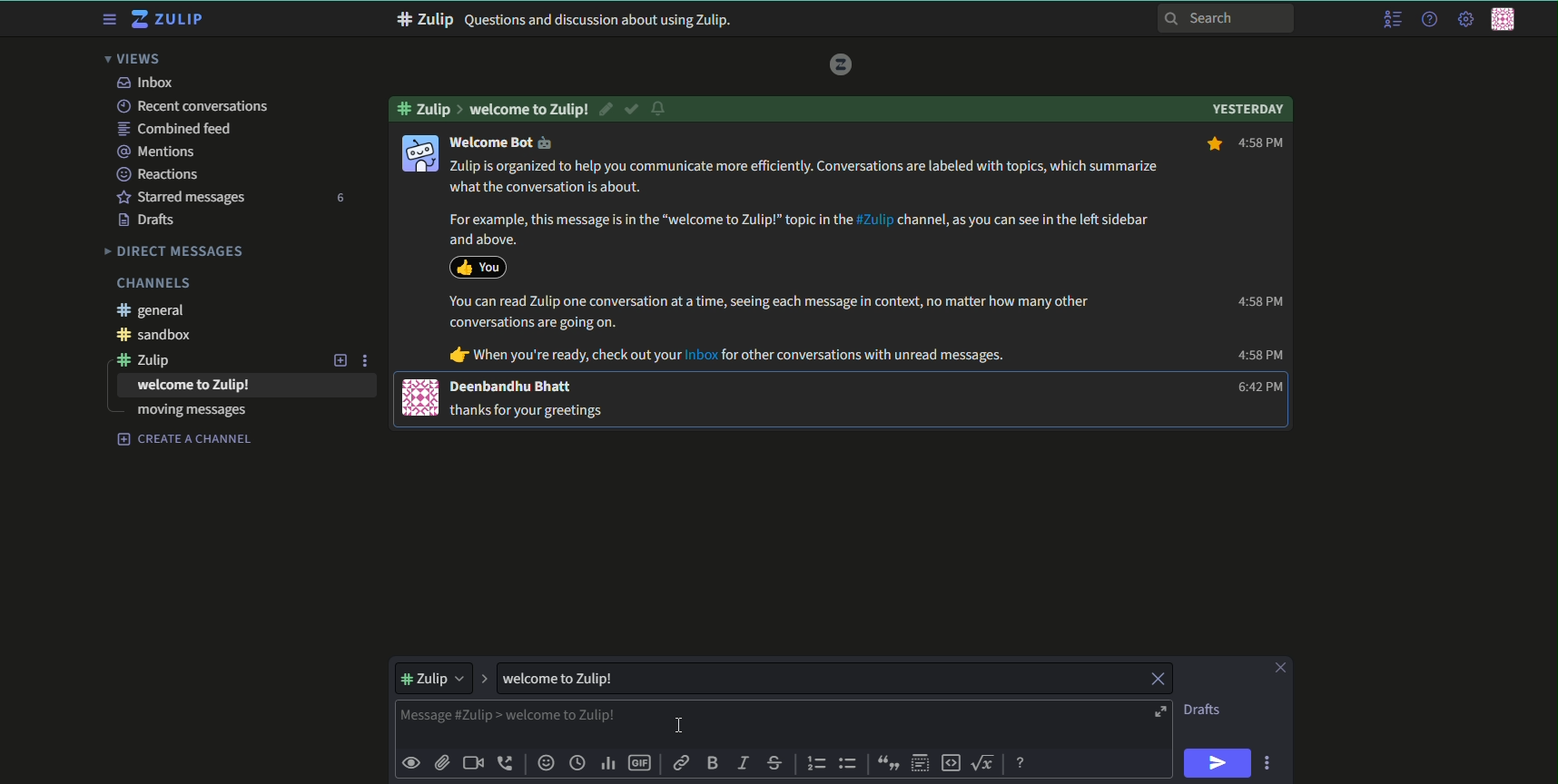  I want to click on resolved, so click(633, 109).